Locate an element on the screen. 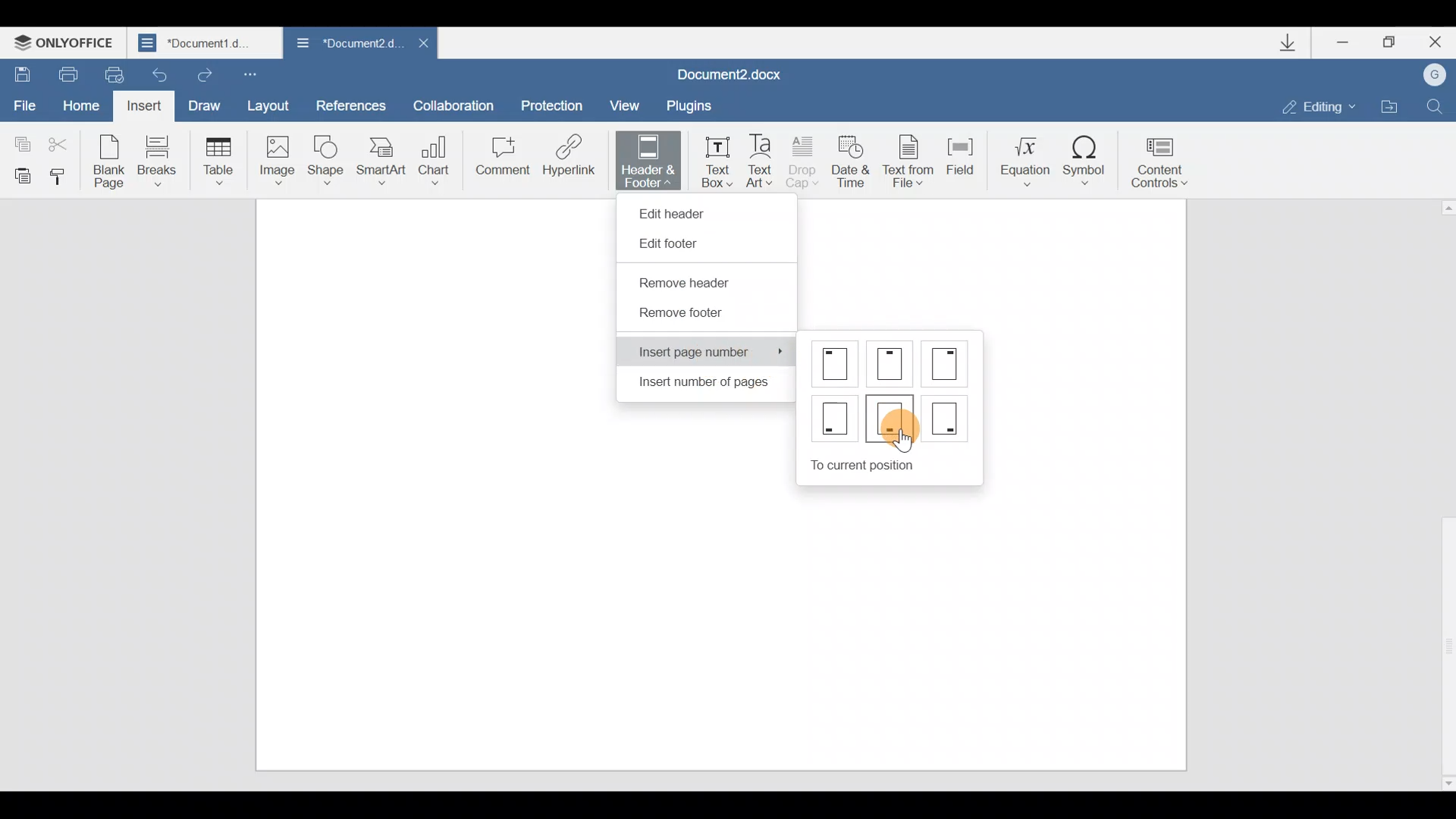 Image resolution: width=1456 pixels, height=819 pixels. Account name is located at coordinates (1437, 75).